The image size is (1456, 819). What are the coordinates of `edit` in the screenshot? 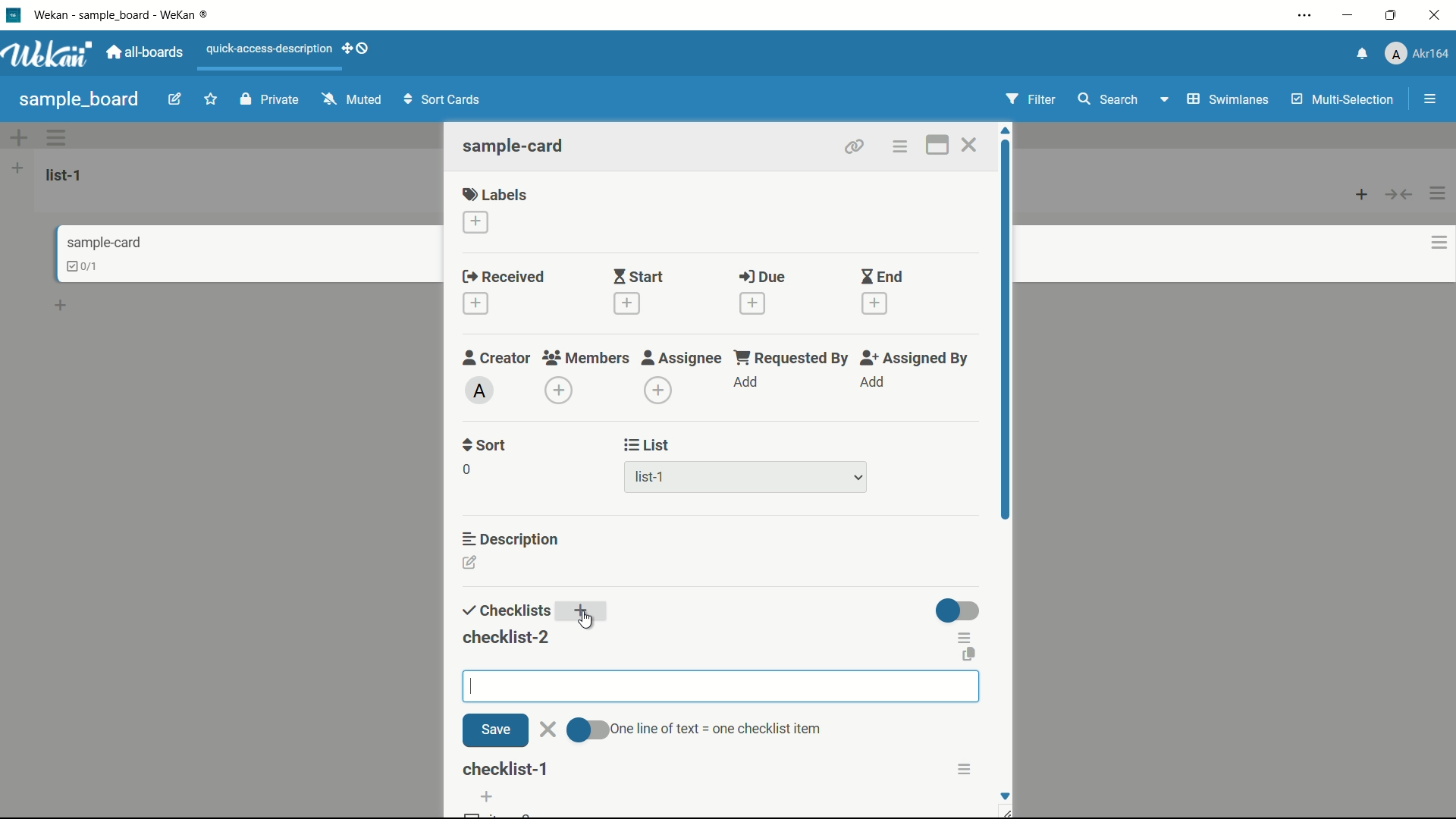 It's located at (175, 101).